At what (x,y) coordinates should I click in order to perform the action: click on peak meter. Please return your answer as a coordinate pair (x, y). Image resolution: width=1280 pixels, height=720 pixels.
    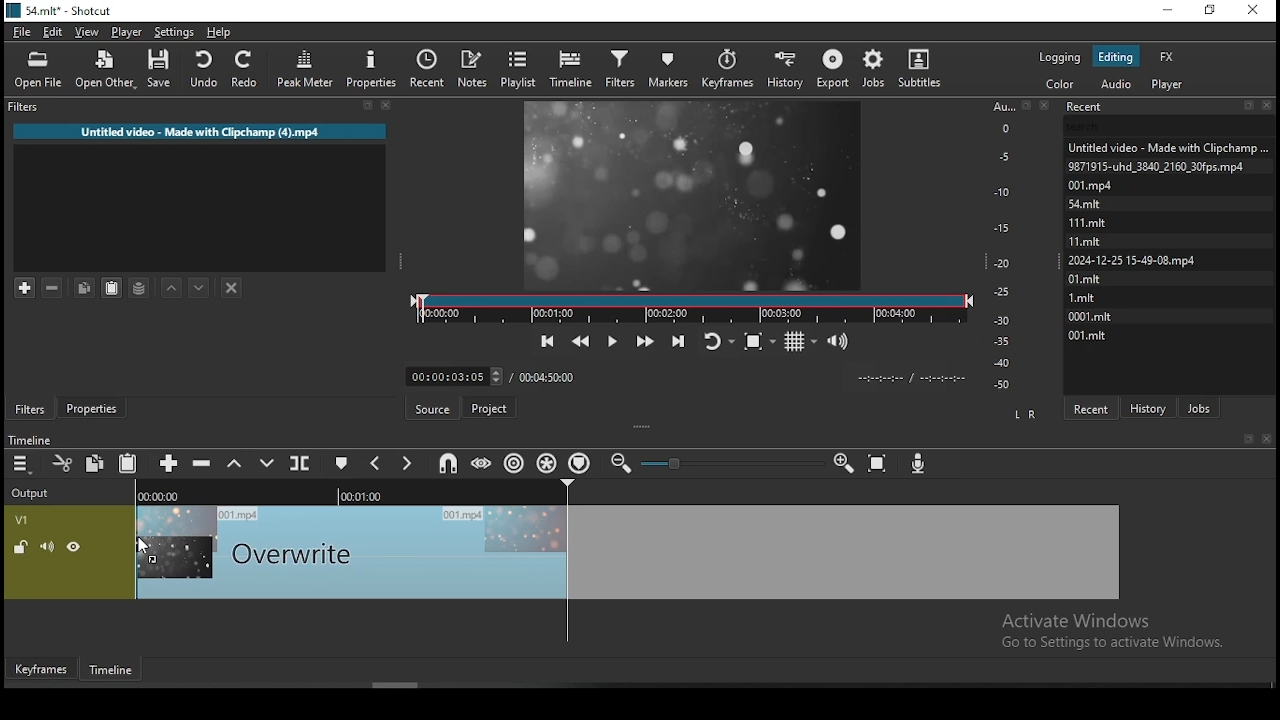
    Looking at the image, I should click on (305, 72).